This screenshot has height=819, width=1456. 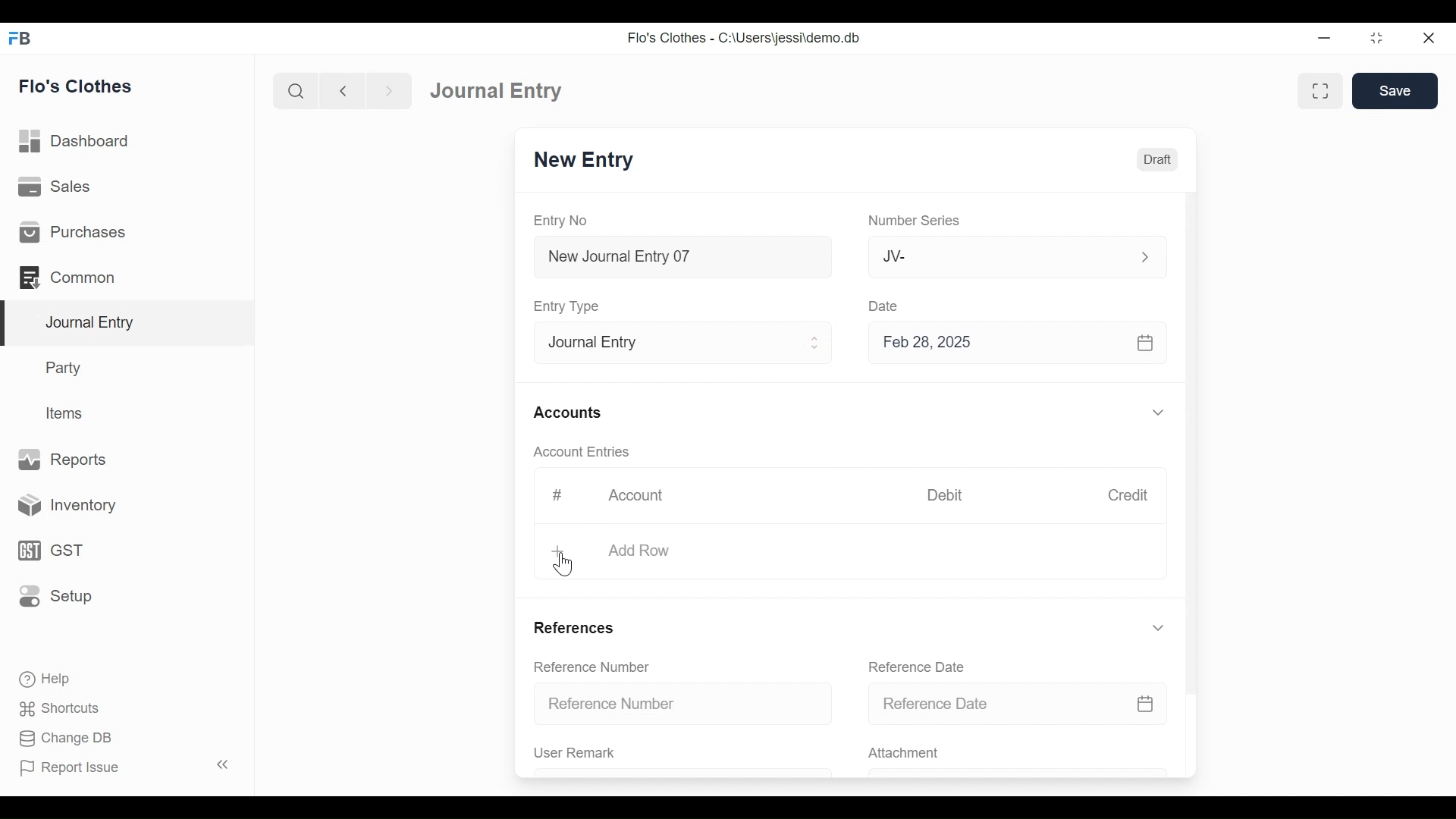 I want to click on Dashboard, so click(x=75, y=140).